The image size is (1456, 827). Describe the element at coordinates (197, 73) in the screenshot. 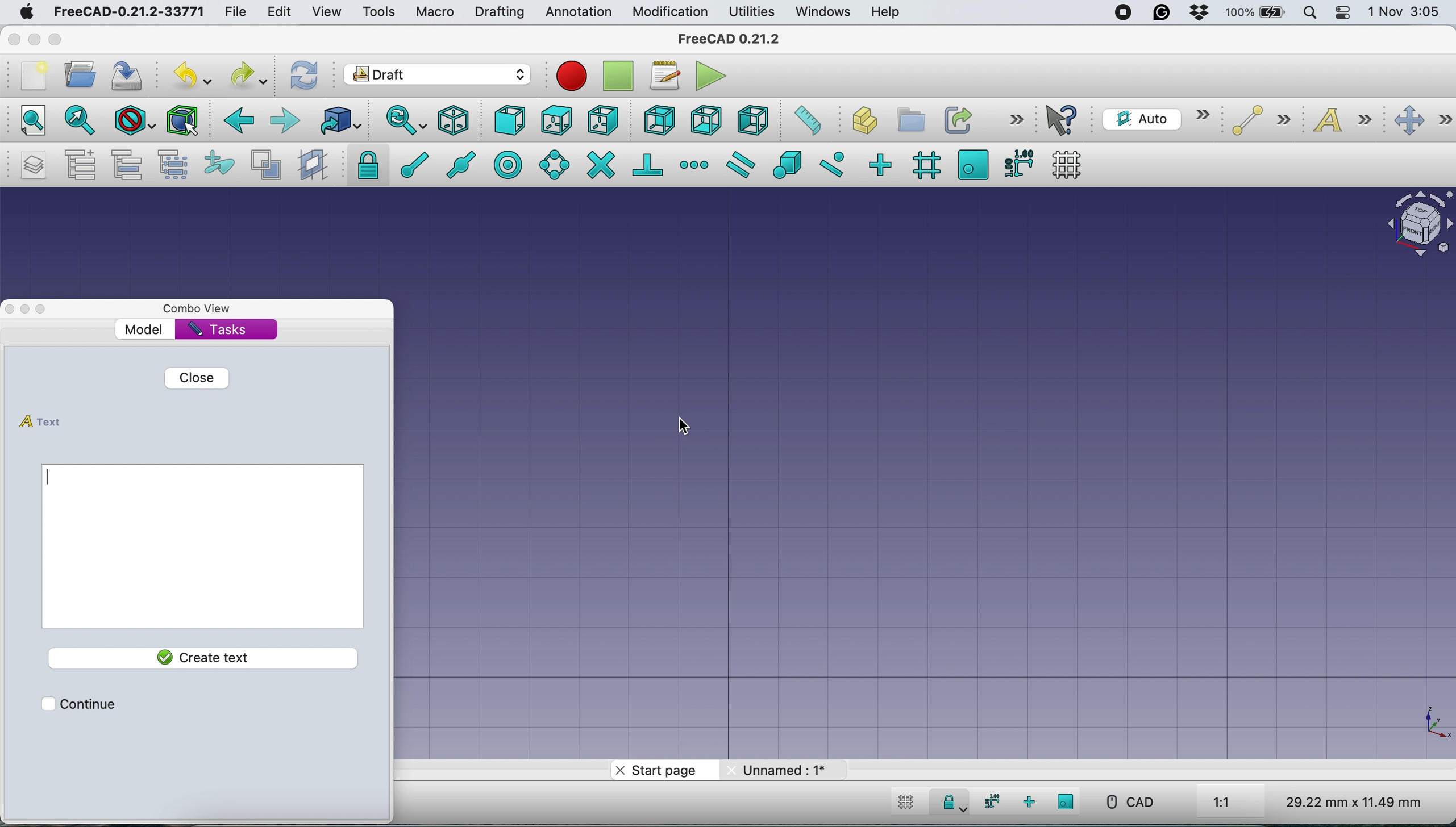

I see `undo` at that location.